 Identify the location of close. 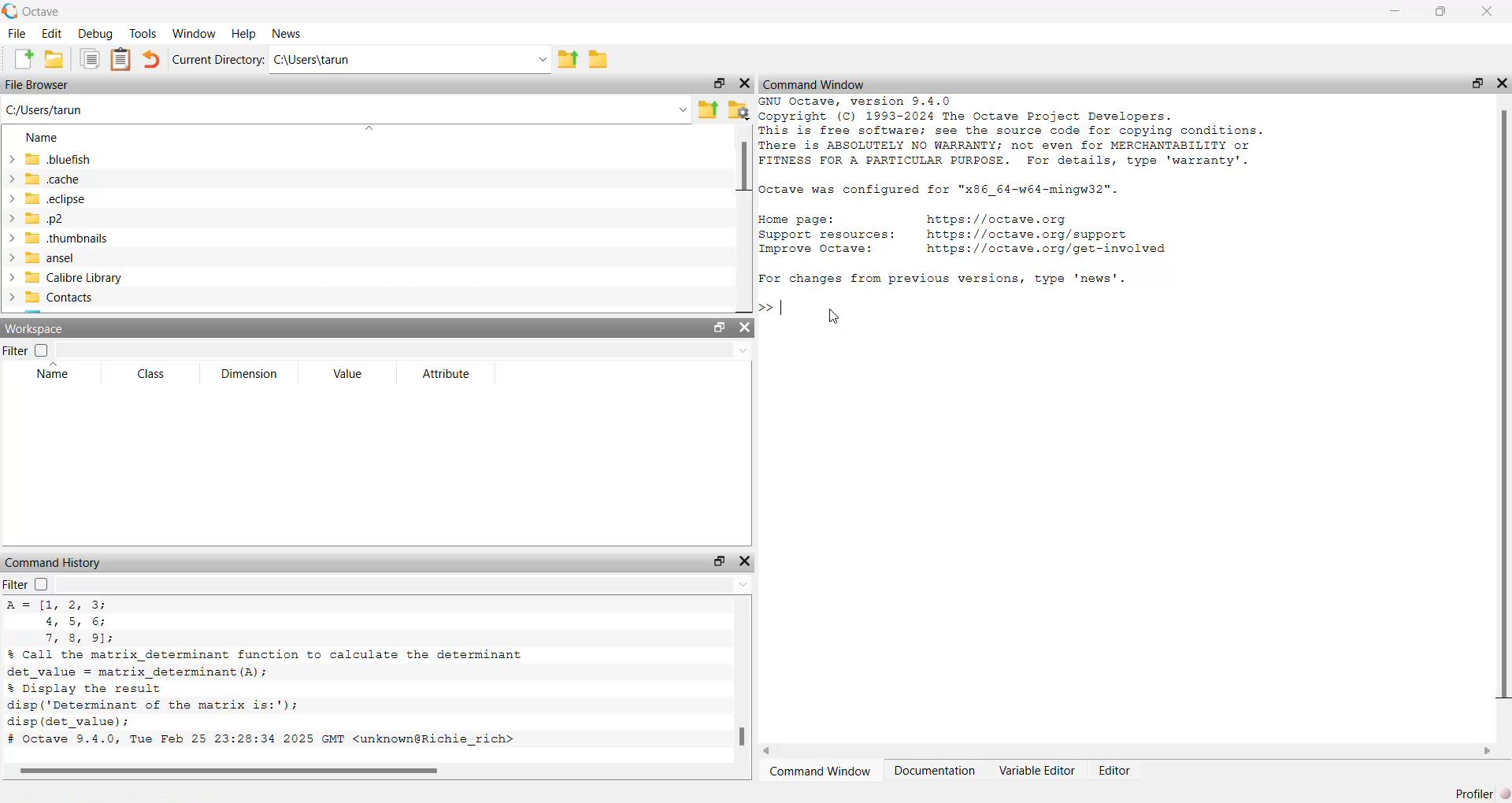
(1487, 13).